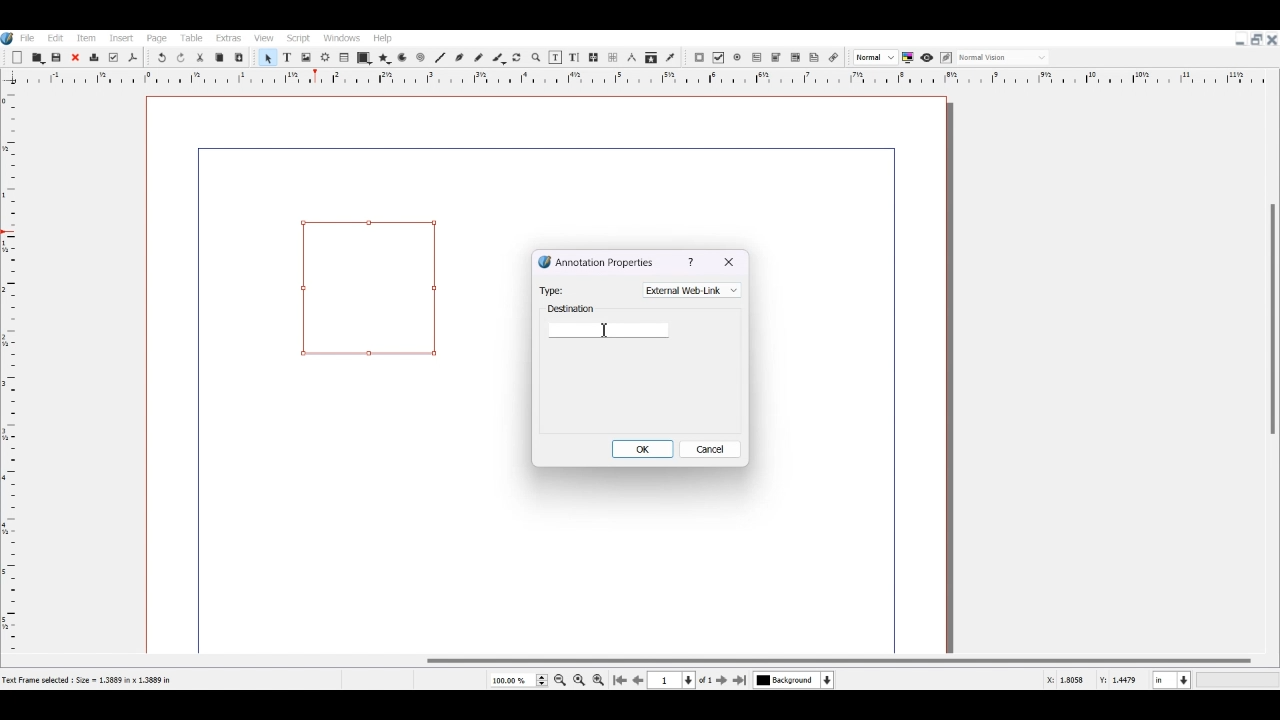 The width and height of the screenshot is (1280, 720). Describe the element at coordinates (383, 38) in the screenshot. I see `Help` at that location.